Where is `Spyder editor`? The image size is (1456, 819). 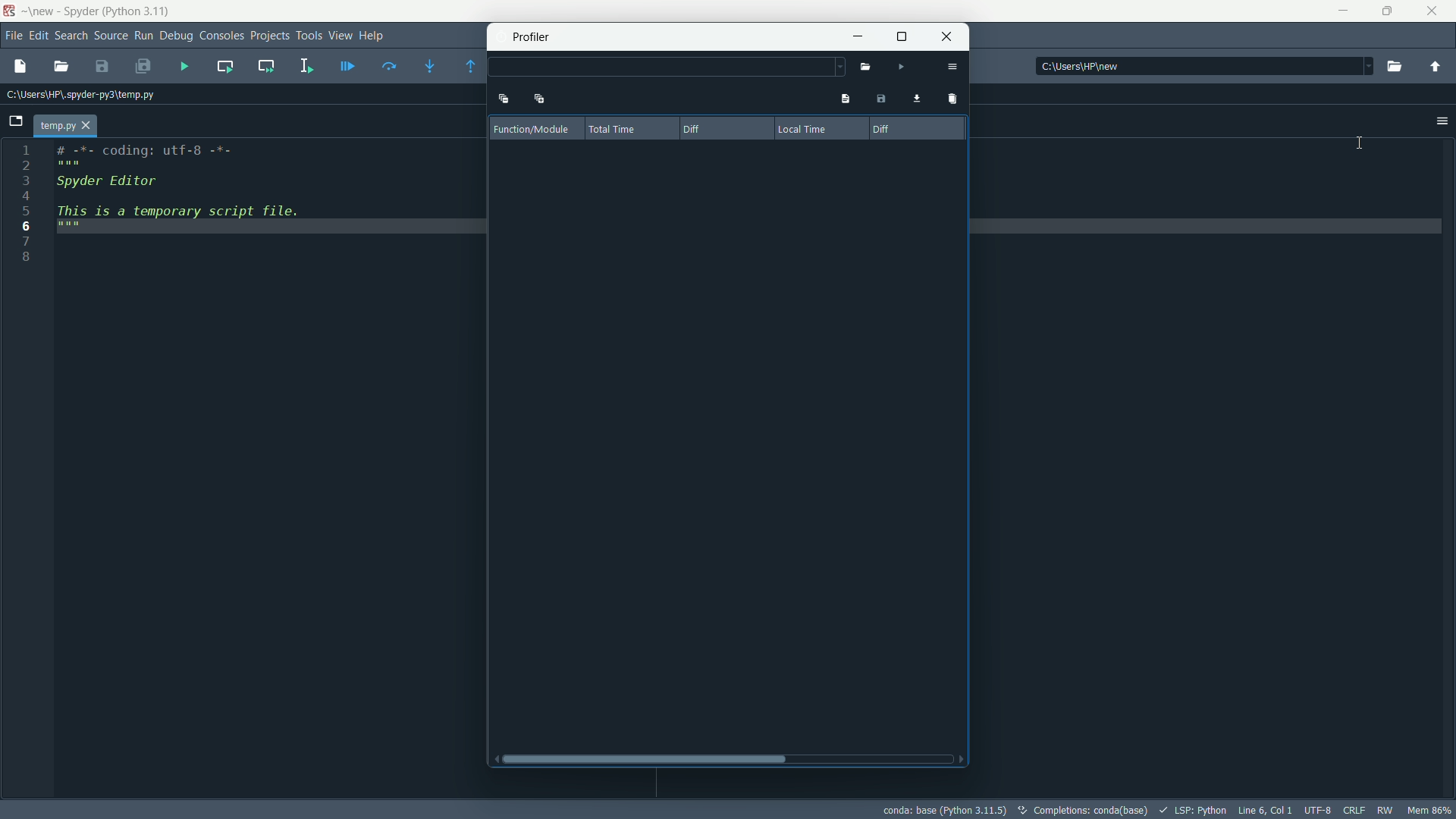 Spyder editor is located at coordinates (143, 186).